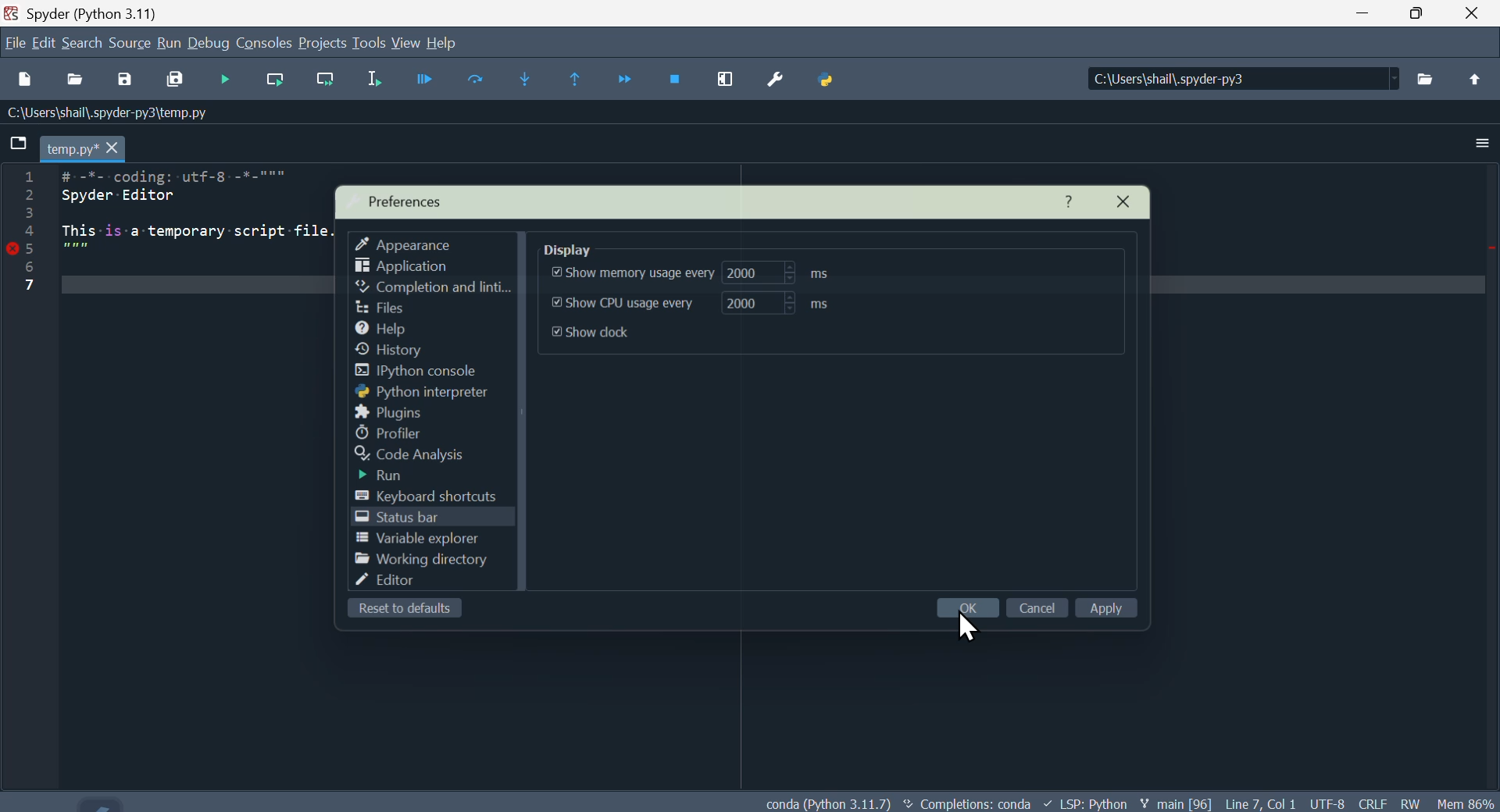 The width and height of the screenshot is (1500, 812). Describe the element at coordinates (424, 456) in the screenshot. I see `Code analysis` at that location.